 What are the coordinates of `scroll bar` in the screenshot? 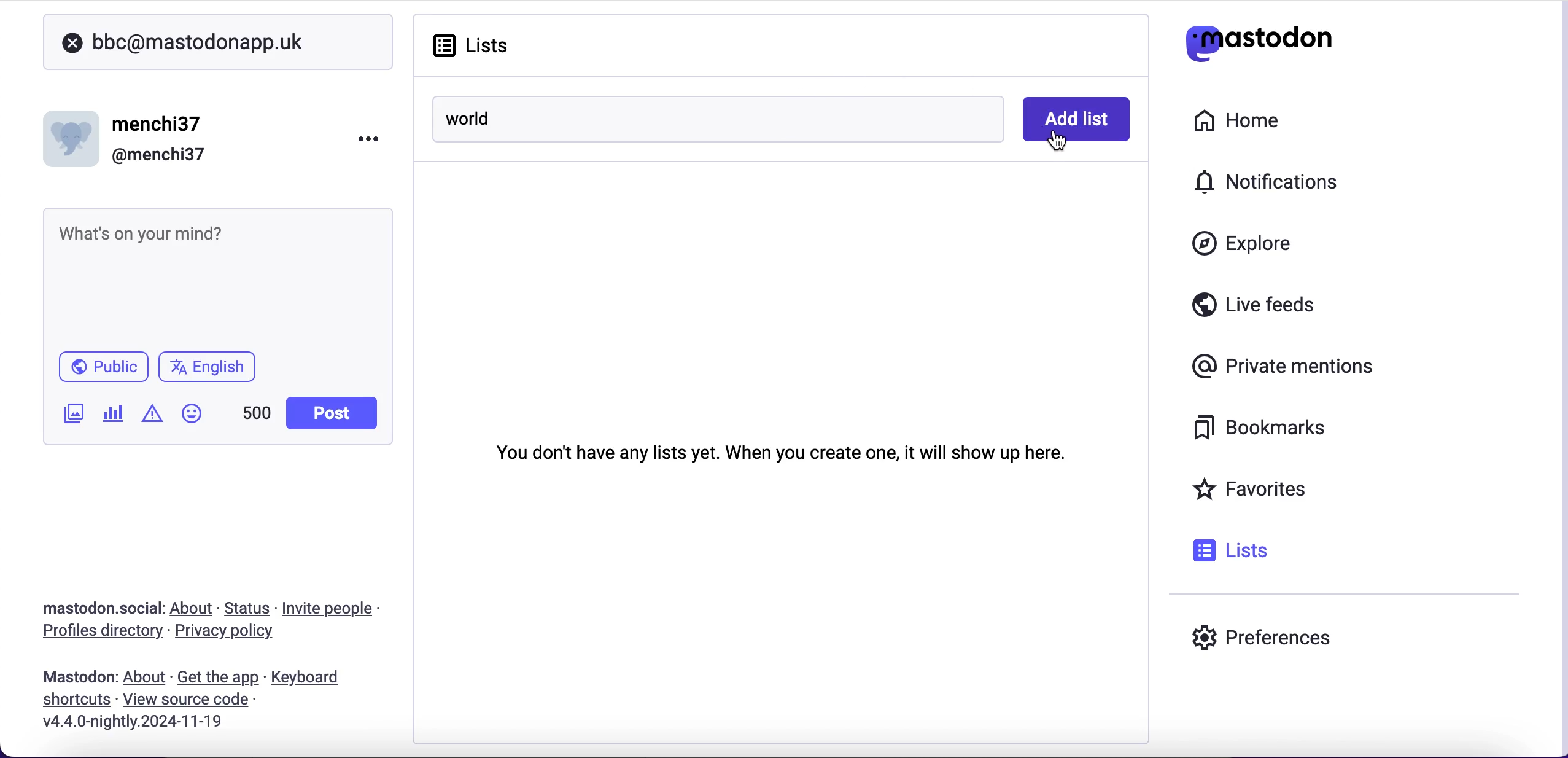 It's located at (1561, 377).